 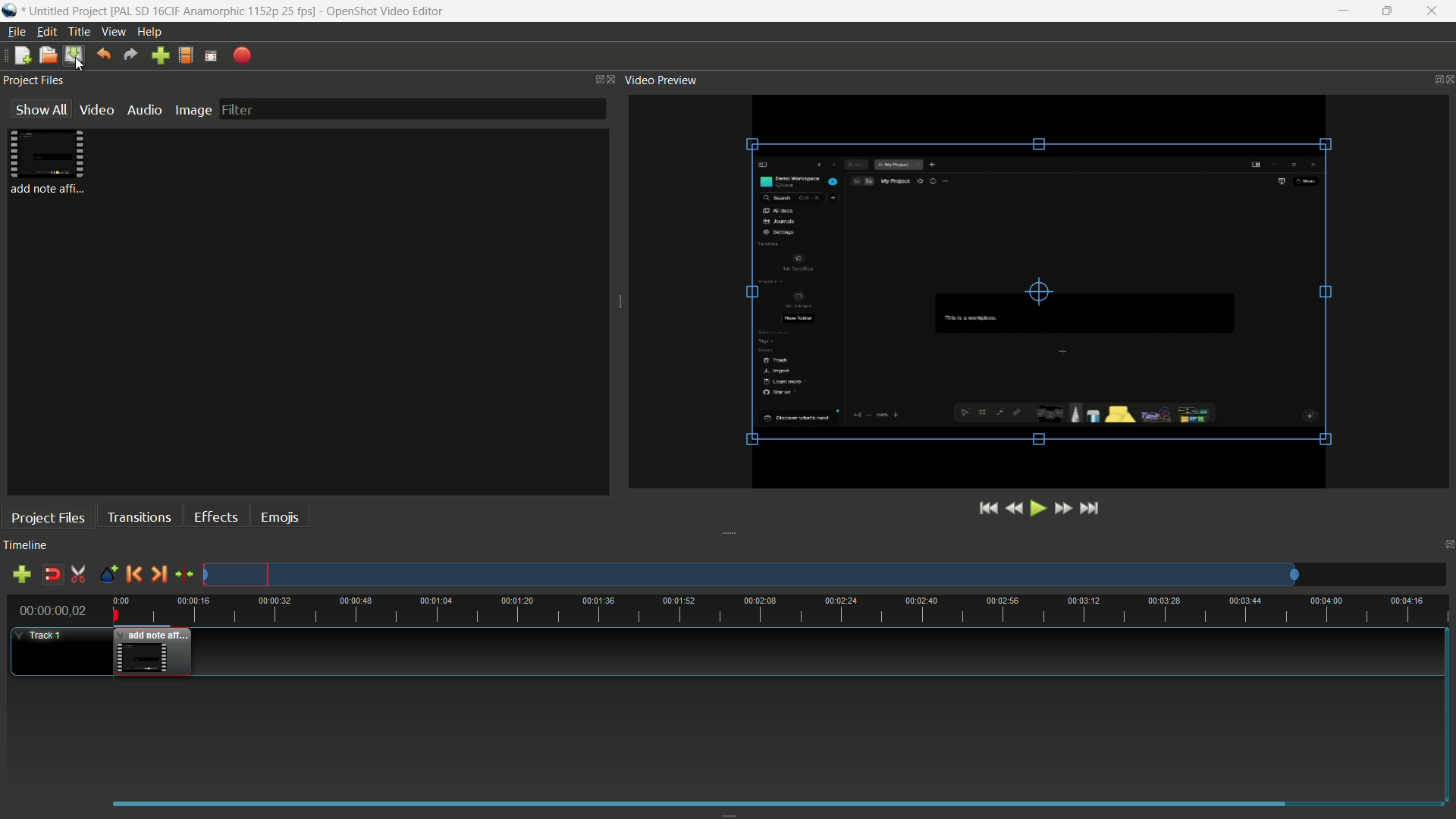 I want to click on import file, so click(x=160, y=56).